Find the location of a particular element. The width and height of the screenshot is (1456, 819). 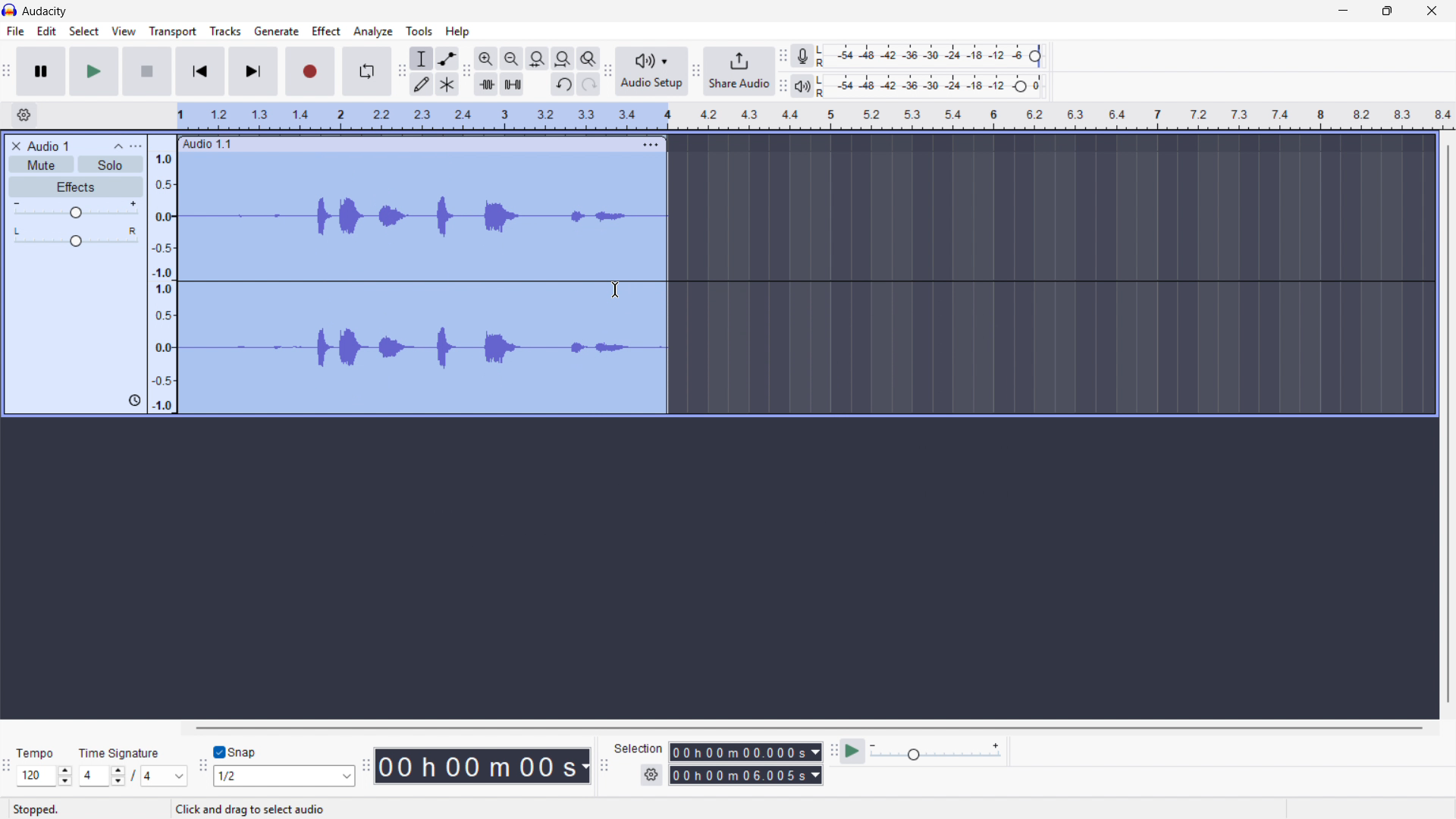

mouse pointer is located at coordinates (619, 289).